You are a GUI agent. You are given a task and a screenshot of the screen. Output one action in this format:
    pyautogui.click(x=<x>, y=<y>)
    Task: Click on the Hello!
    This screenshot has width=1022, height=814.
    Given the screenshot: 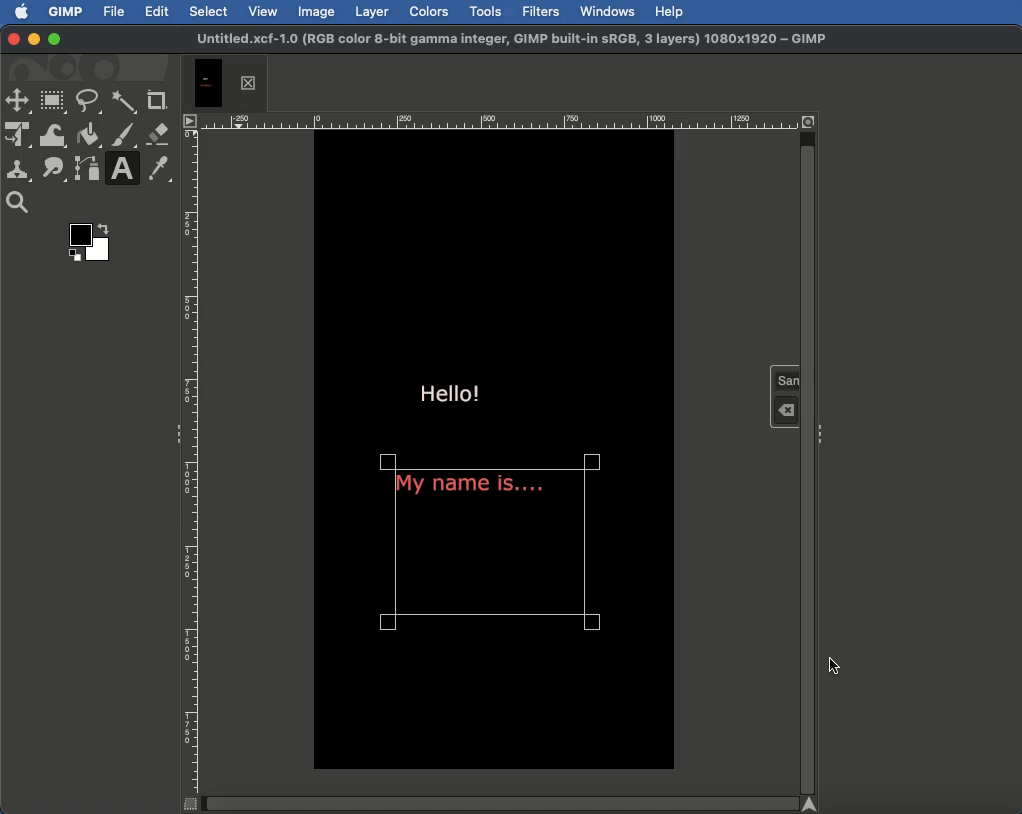 What is the action you would take?
    pyautogui.click(x=451, y=390)
    